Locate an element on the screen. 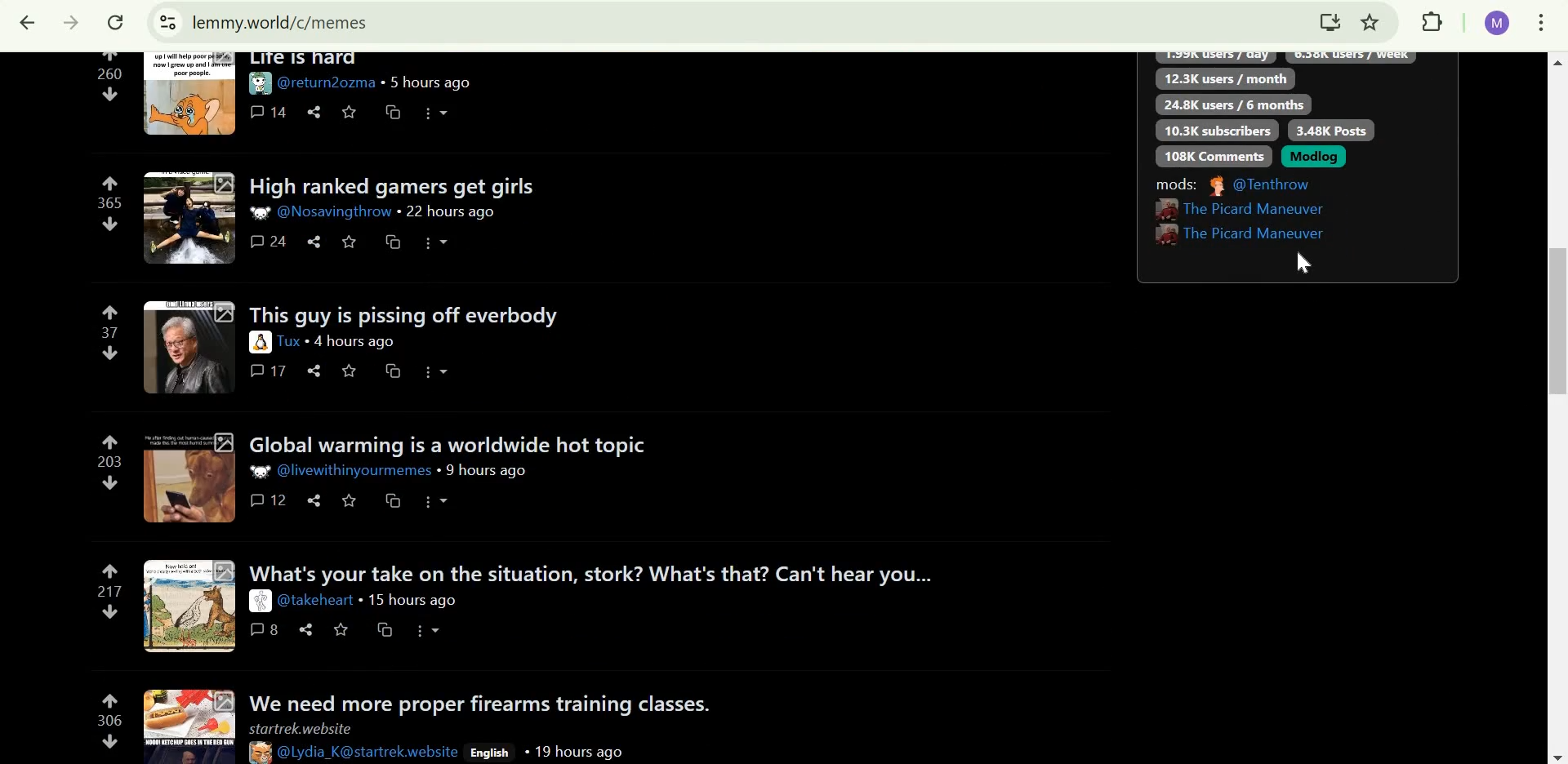  picture is located at coordinates (260, 602).